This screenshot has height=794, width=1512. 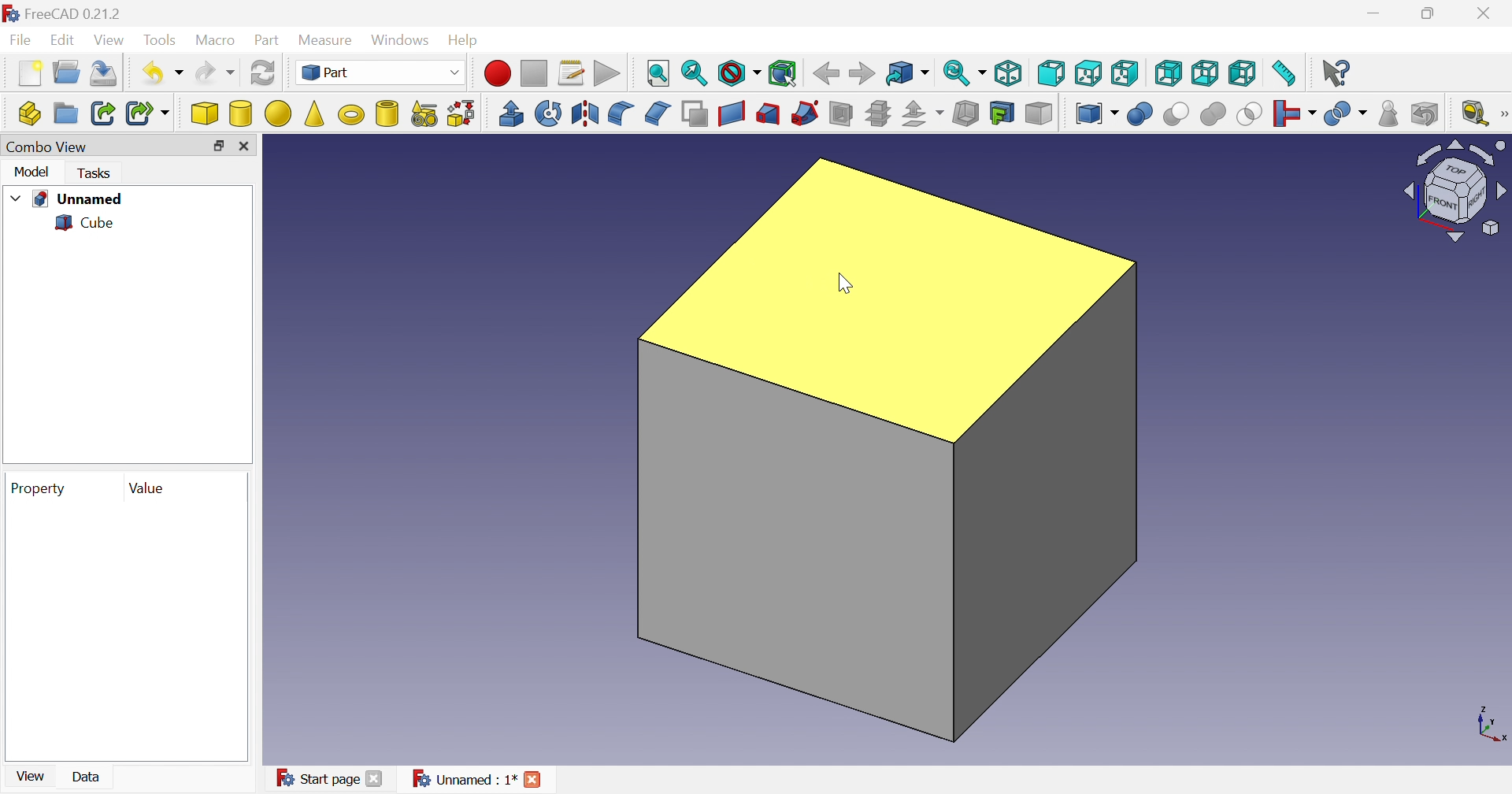 I want to click on Data, so click(x=86, y=776).